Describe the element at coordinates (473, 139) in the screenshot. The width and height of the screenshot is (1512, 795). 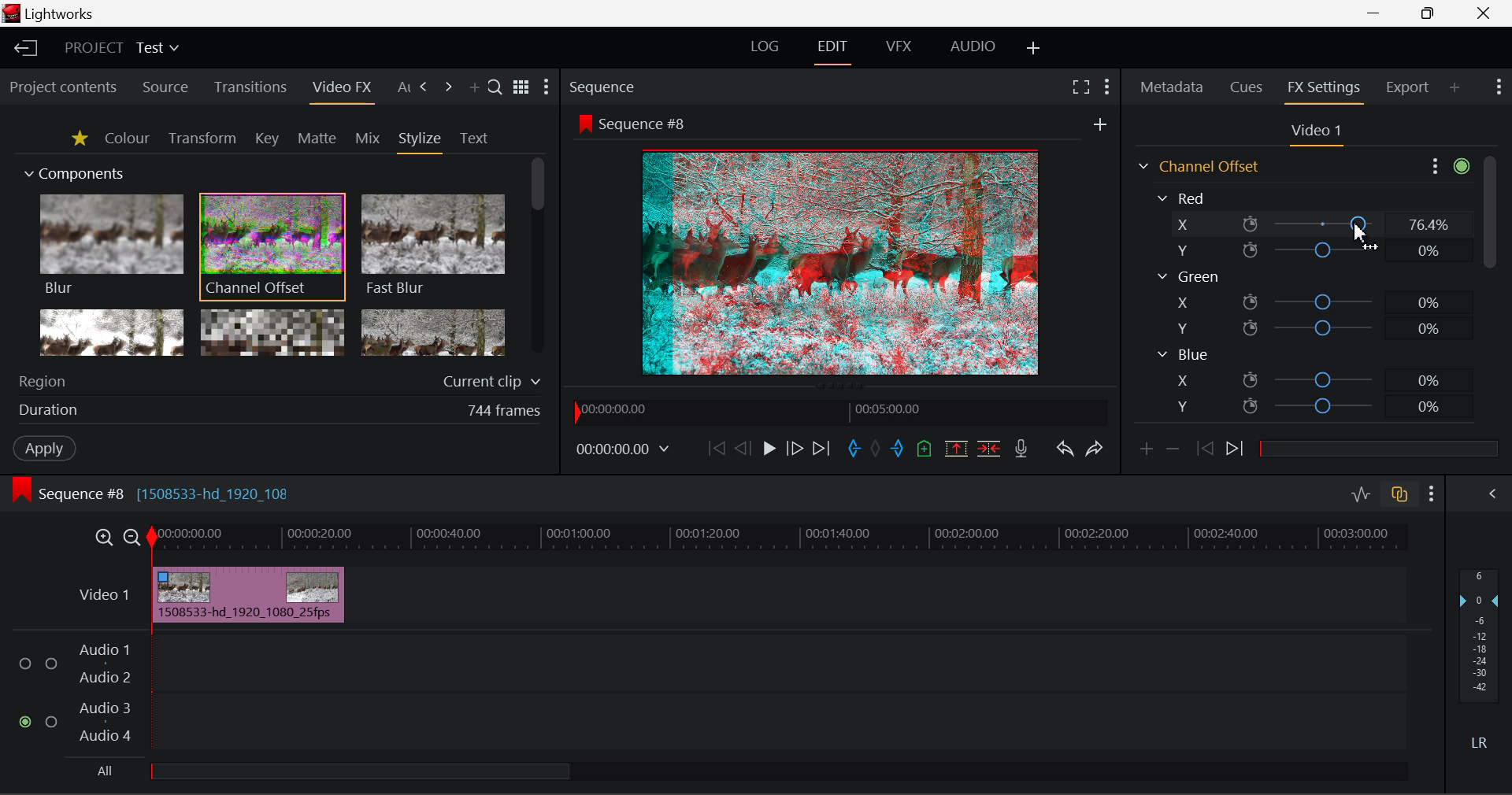
I see `Text` at that location.